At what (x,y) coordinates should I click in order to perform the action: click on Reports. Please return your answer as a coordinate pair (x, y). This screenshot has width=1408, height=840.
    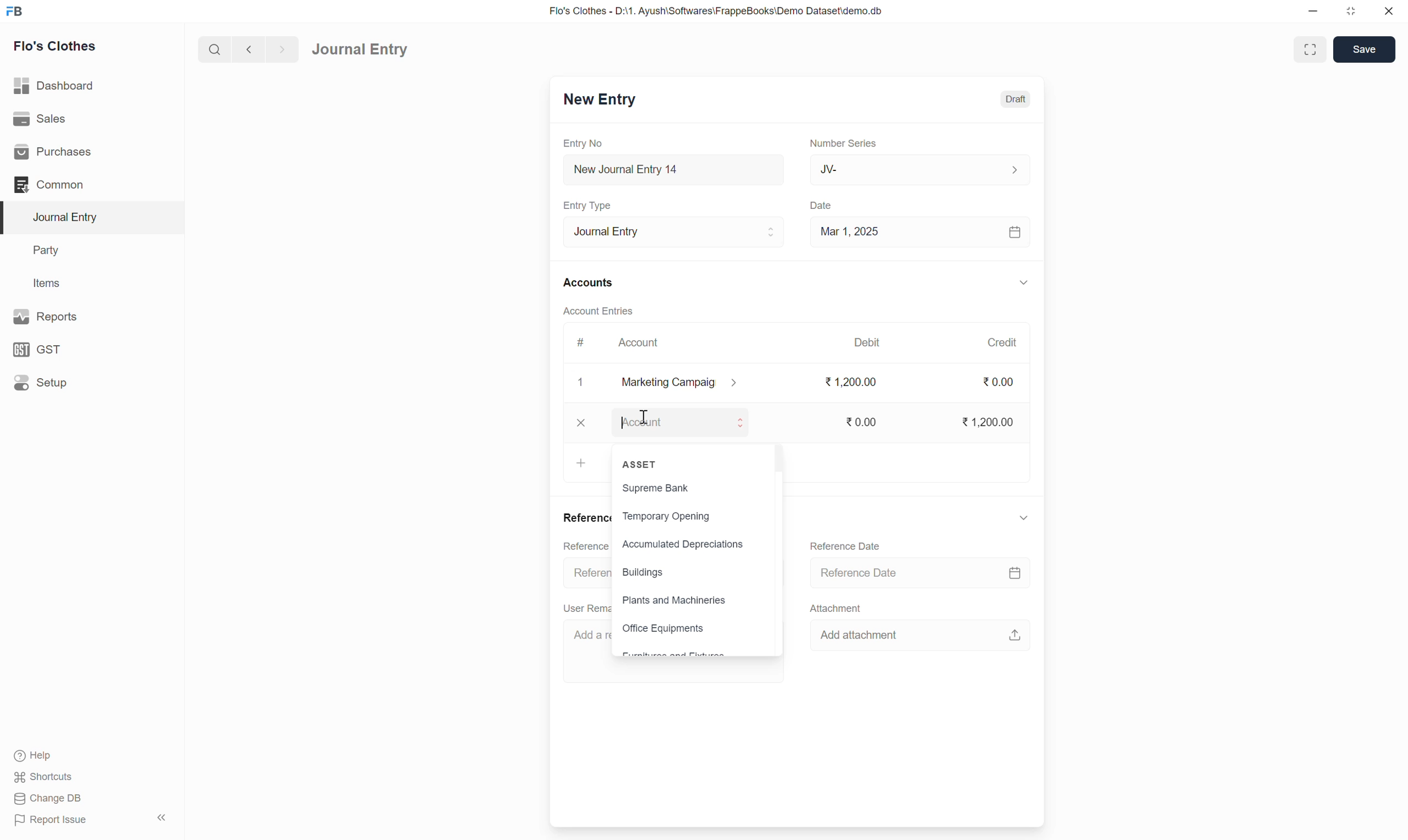
    Looking at the image, I should click on (49, 316).